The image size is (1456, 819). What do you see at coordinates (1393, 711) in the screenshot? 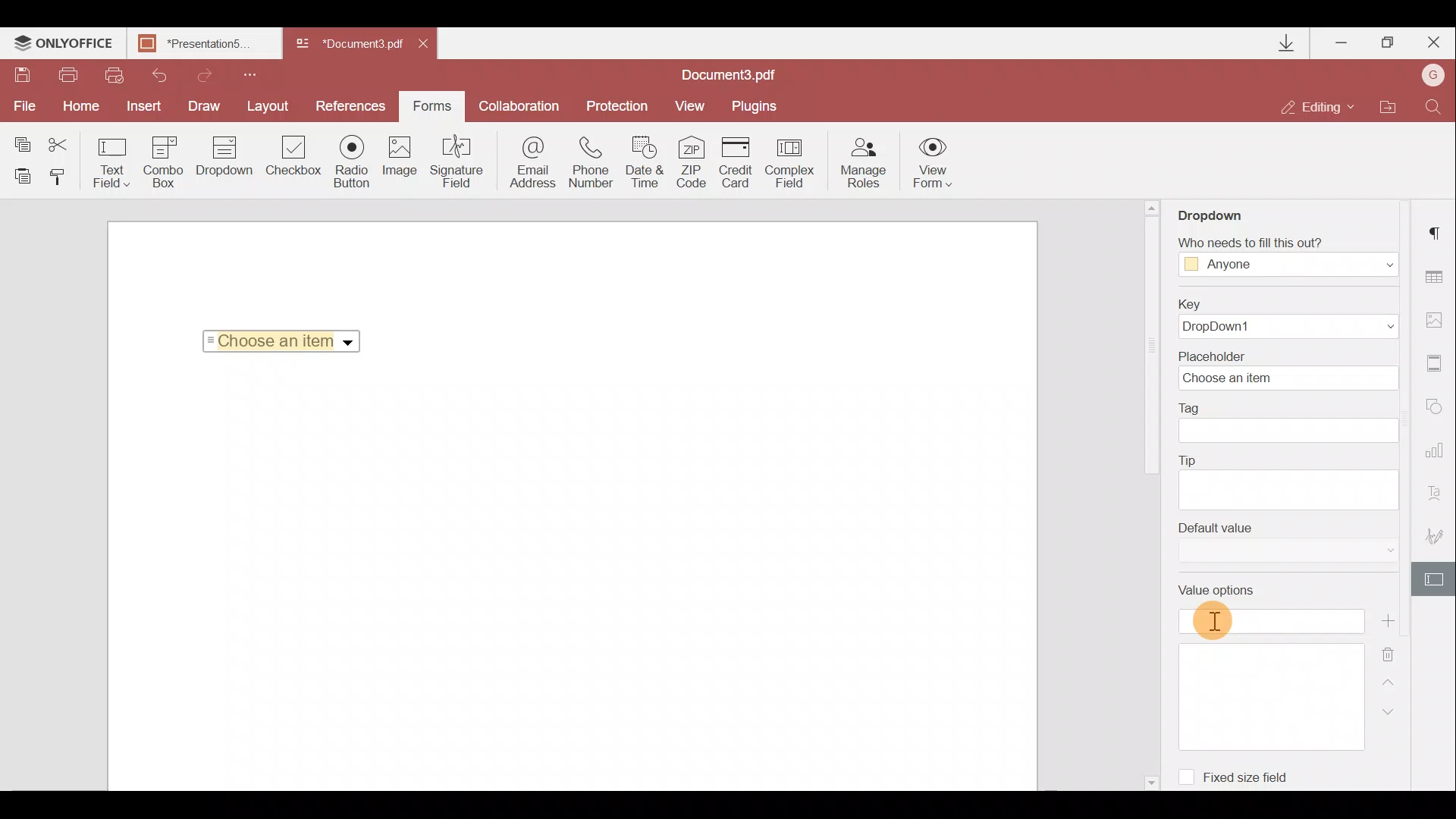
I see `Down` at bounding box center [1393, 711].